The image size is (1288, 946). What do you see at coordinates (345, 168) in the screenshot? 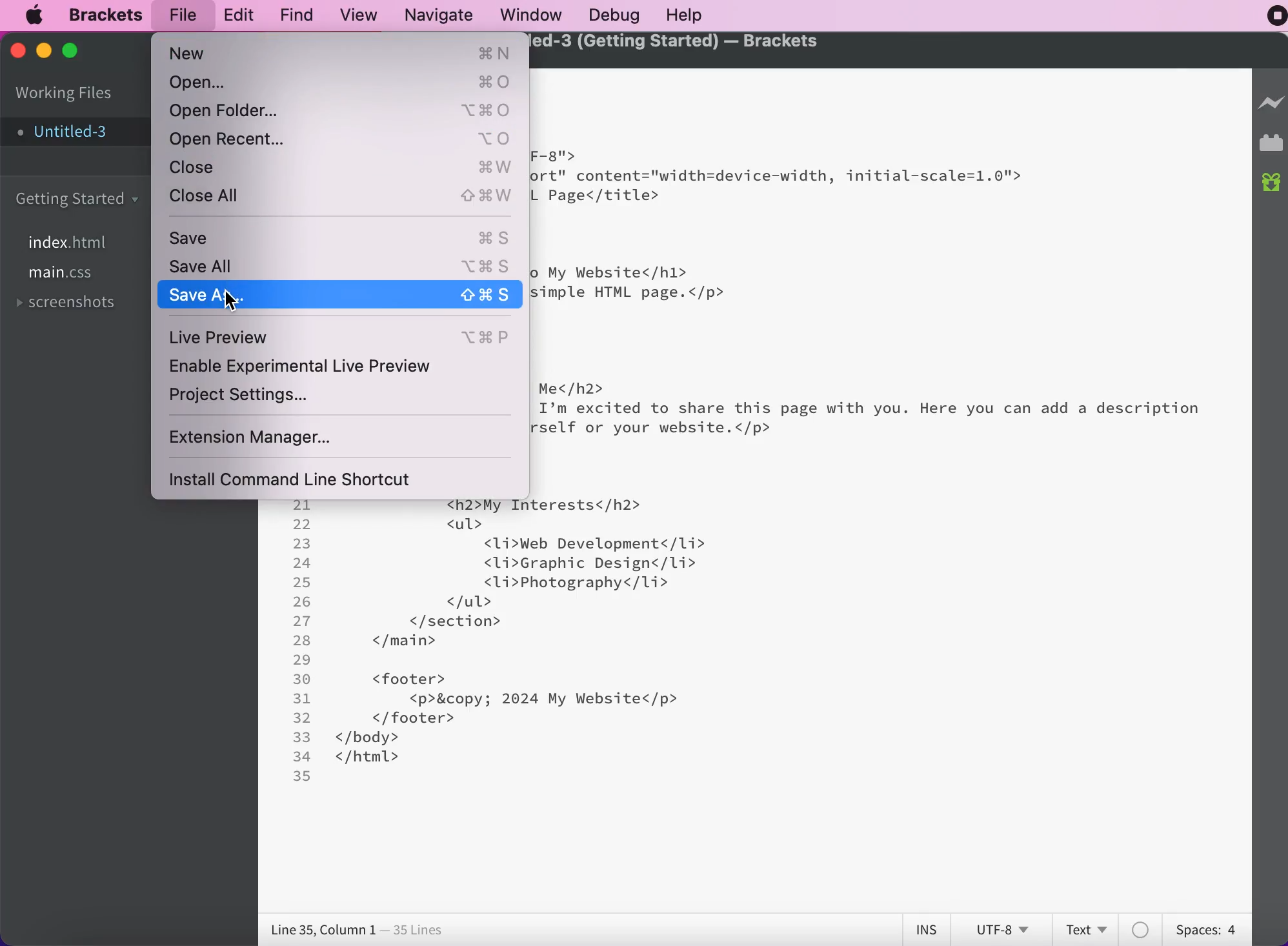
I see `close` at bounding box center [345, 168].